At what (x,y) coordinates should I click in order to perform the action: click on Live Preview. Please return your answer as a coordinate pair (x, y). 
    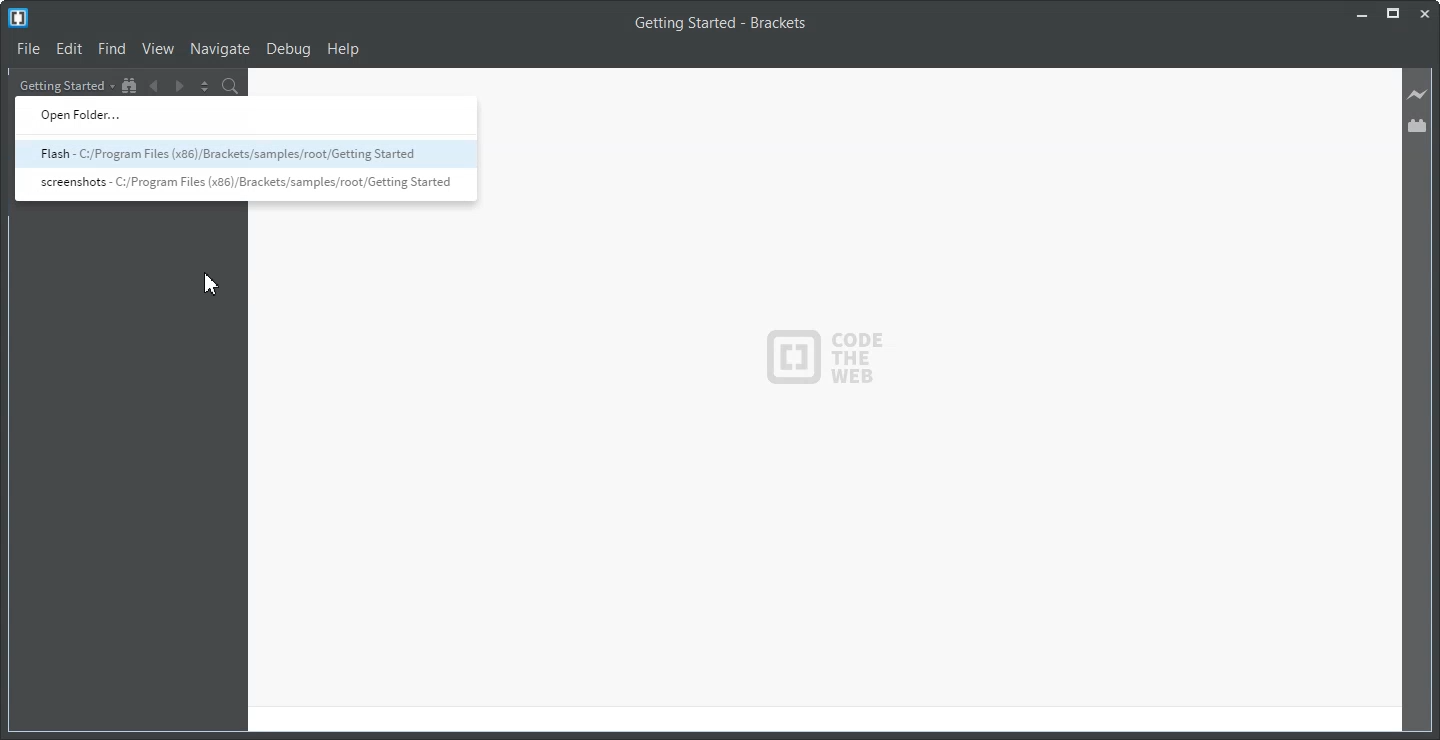
    Looking at the image, I should click on (1419, 95).